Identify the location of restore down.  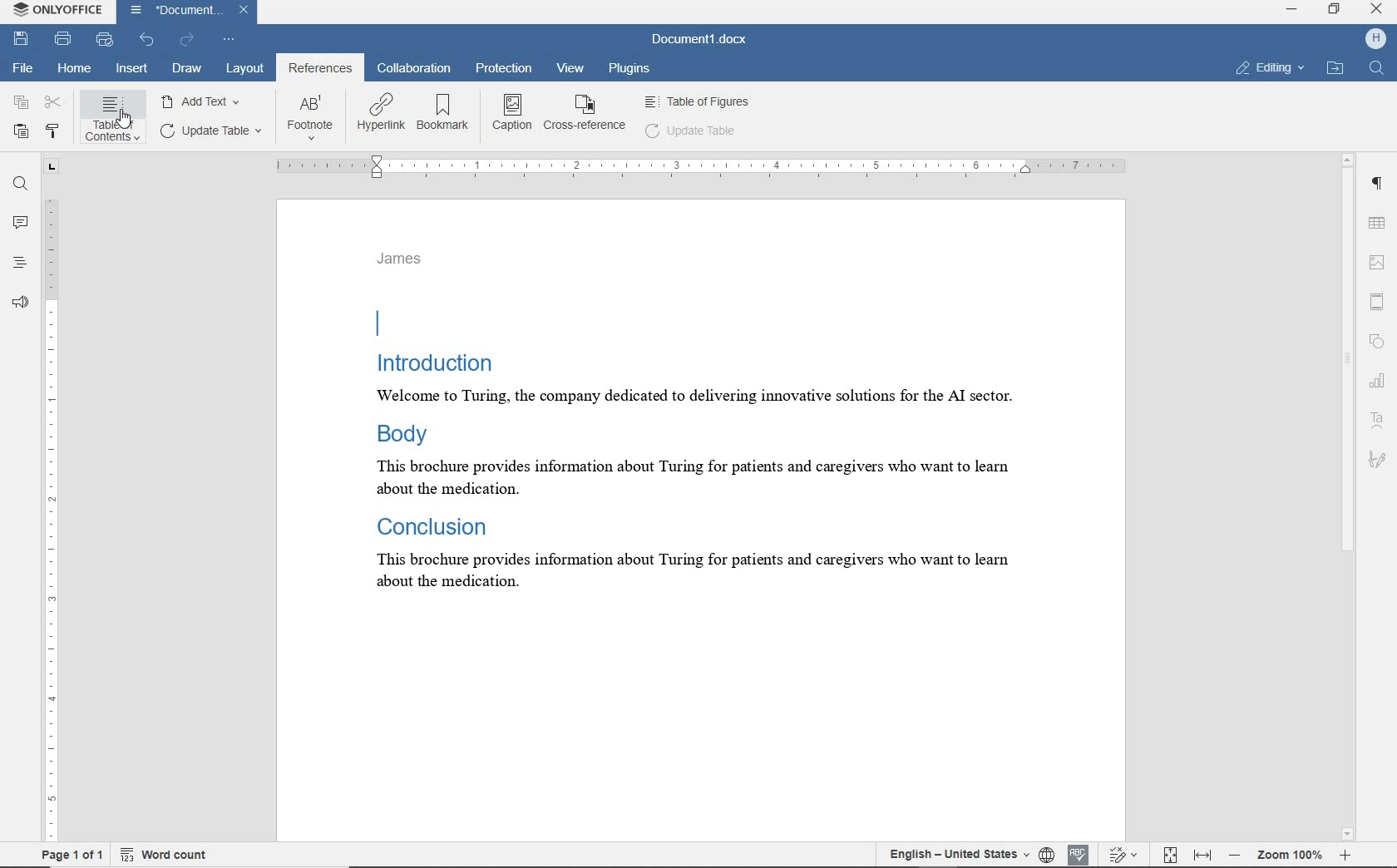
(1335, 11).